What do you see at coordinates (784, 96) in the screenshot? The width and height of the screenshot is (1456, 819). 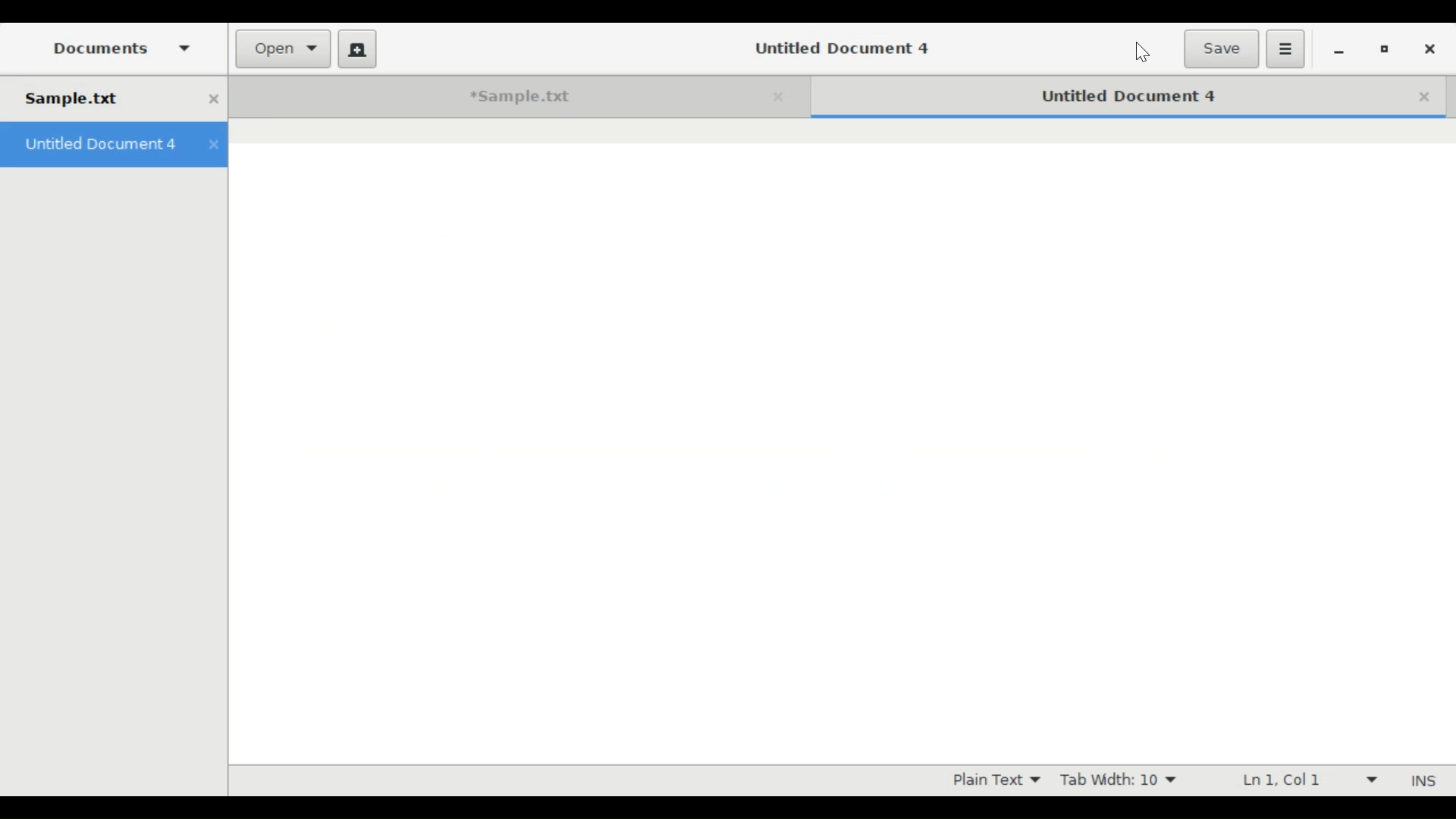 I see `close` at bounding box center [784, 96].